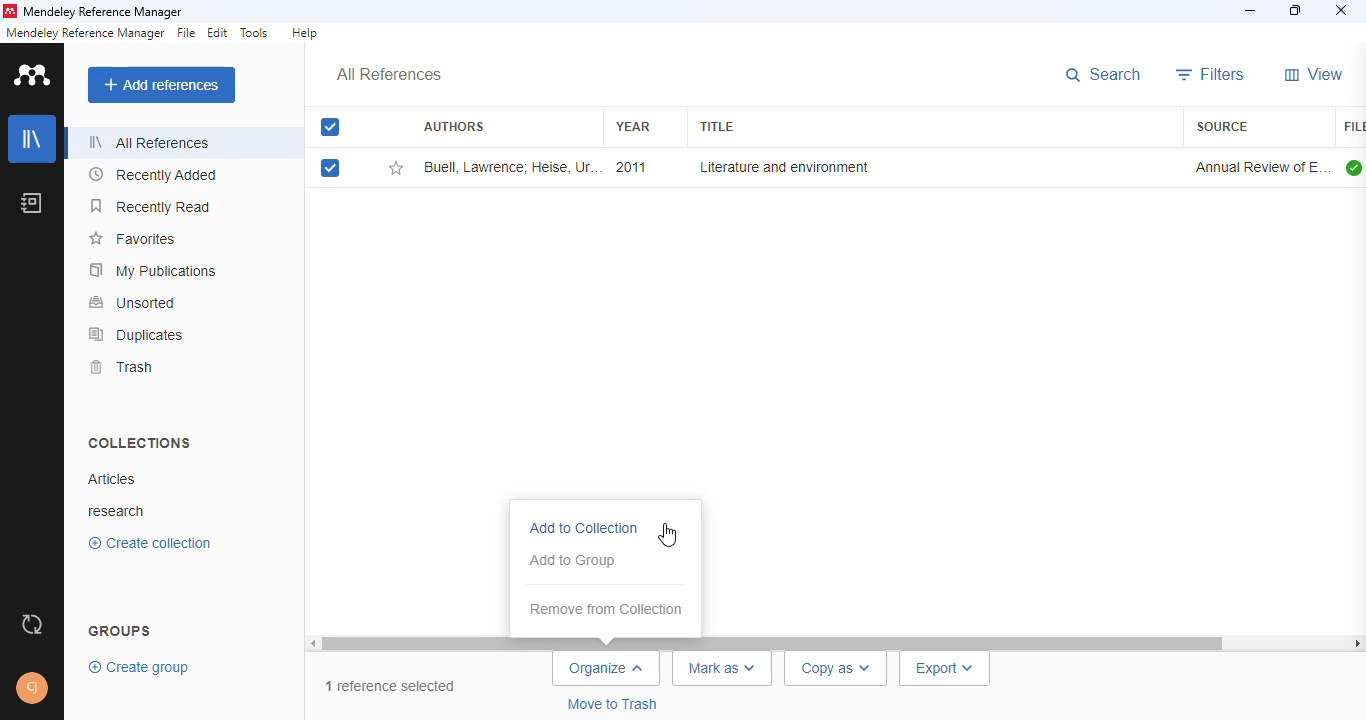 This screenshot has width=1366, height=720. What do you see at coordinates (630, 167) in the screenshot?
I see `2011` at bounding box center [630, 167].